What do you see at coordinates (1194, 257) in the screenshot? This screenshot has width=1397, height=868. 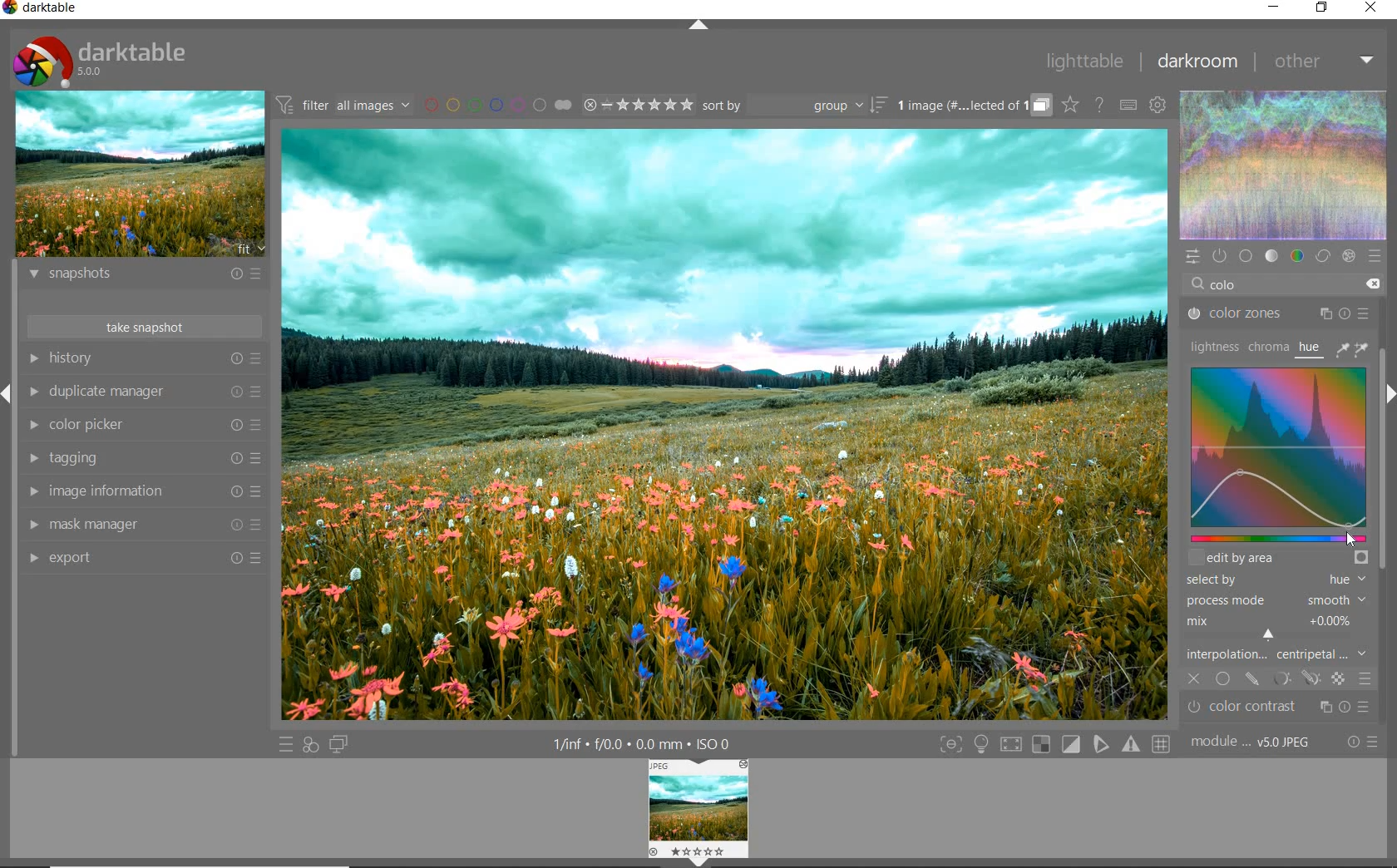 I see `quick access panel` at bounding box center [1194, 257].